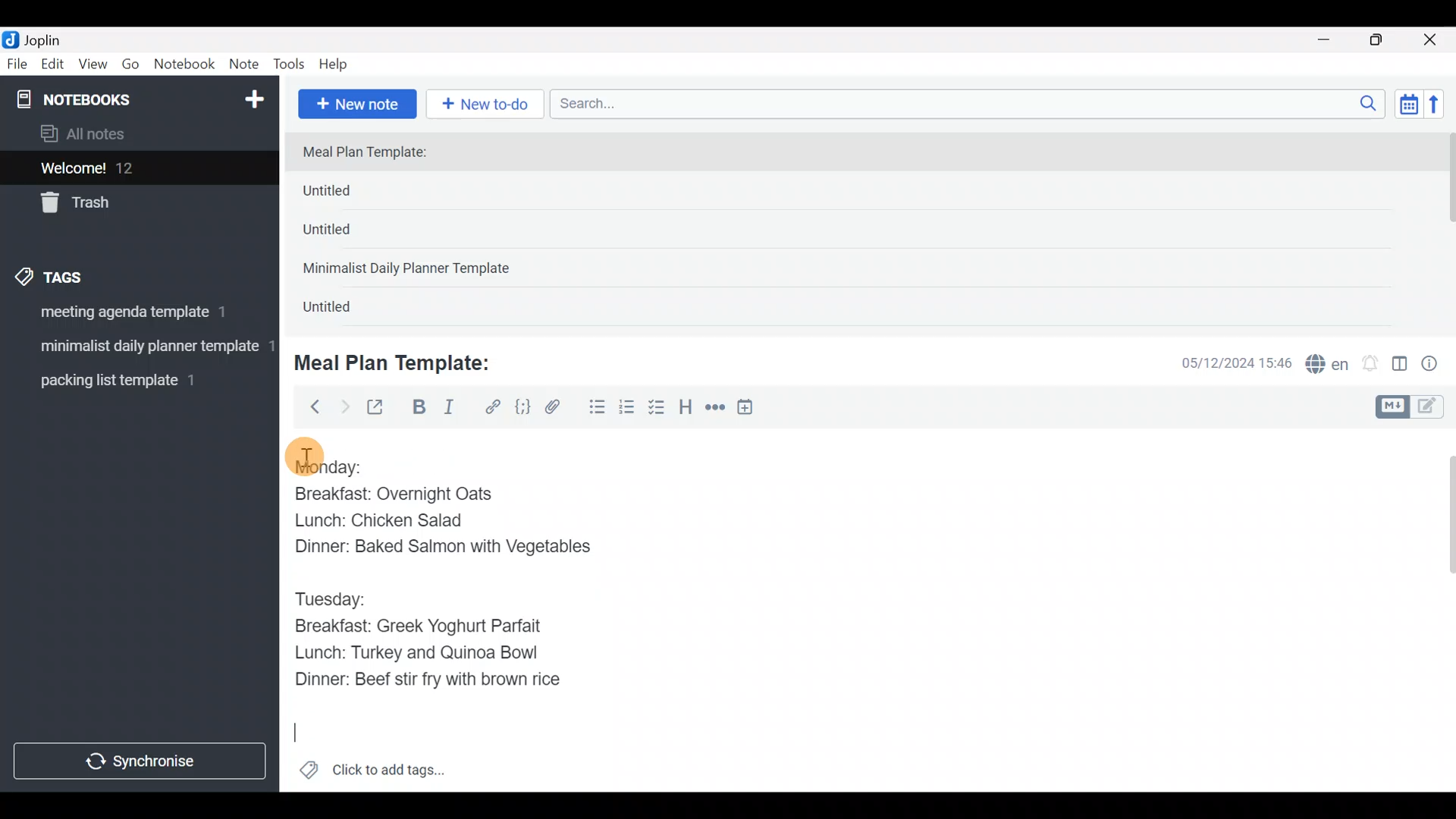 This screenshot has height=819, width=1456. Describe the element at coordinates (1436, 365) in the screenshot. I see `Note properties` at that location.